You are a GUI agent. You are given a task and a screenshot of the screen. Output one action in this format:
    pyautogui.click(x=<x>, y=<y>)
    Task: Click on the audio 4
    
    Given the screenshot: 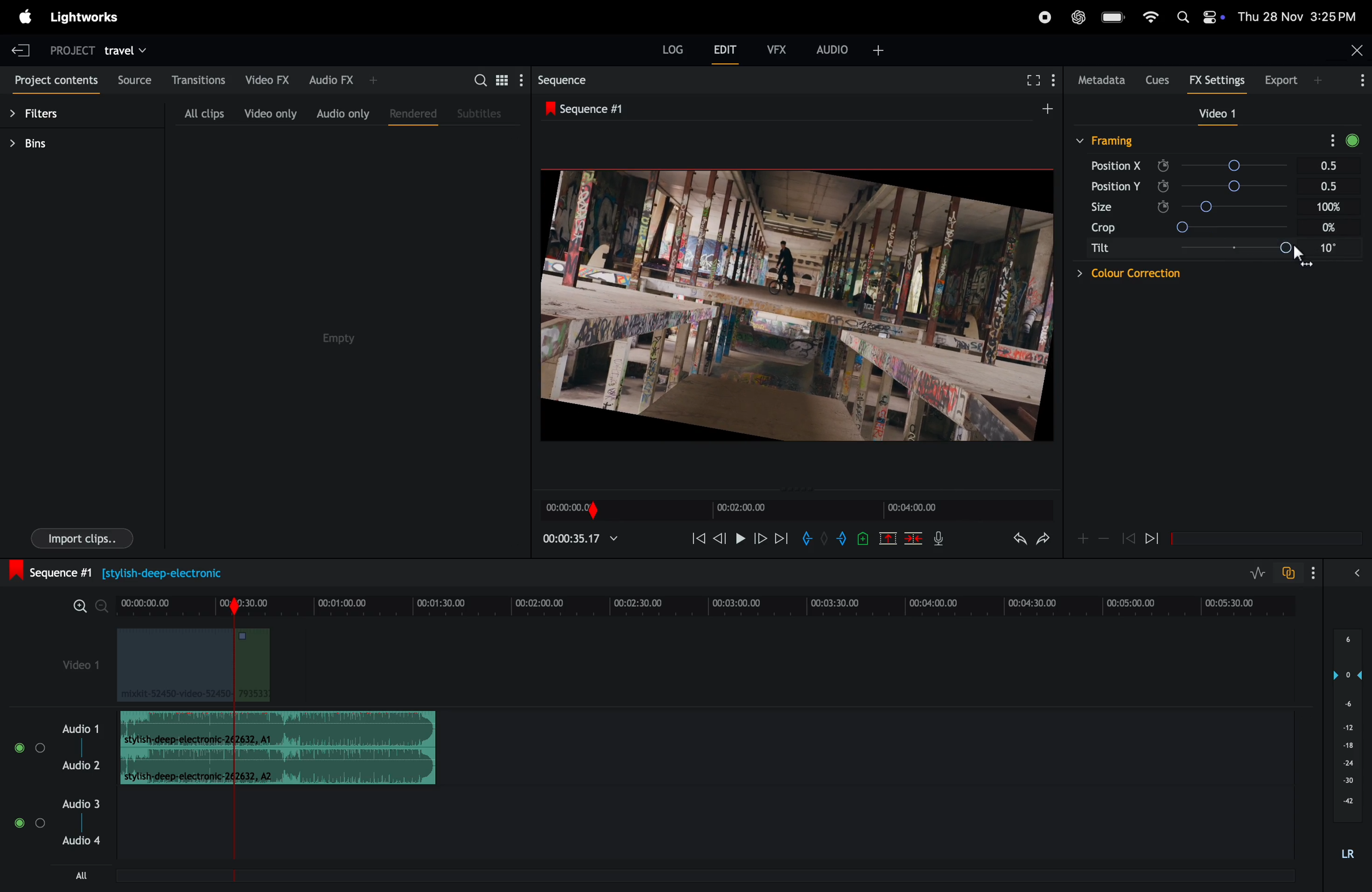 What is the action you would take?
    pyautogui.click(x=81, y=846)
    